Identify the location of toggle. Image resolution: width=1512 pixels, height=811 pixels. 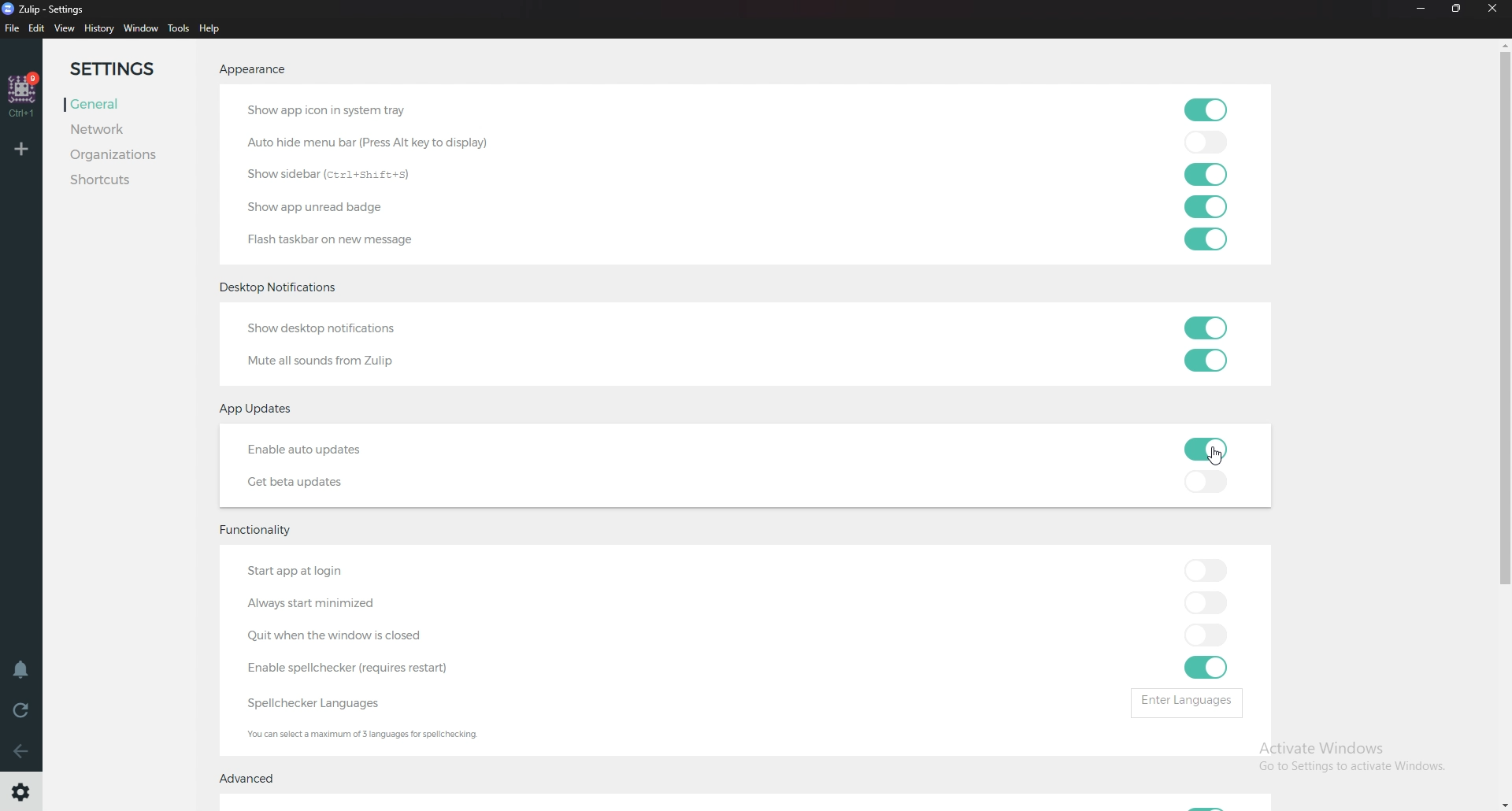
(1206, 668).